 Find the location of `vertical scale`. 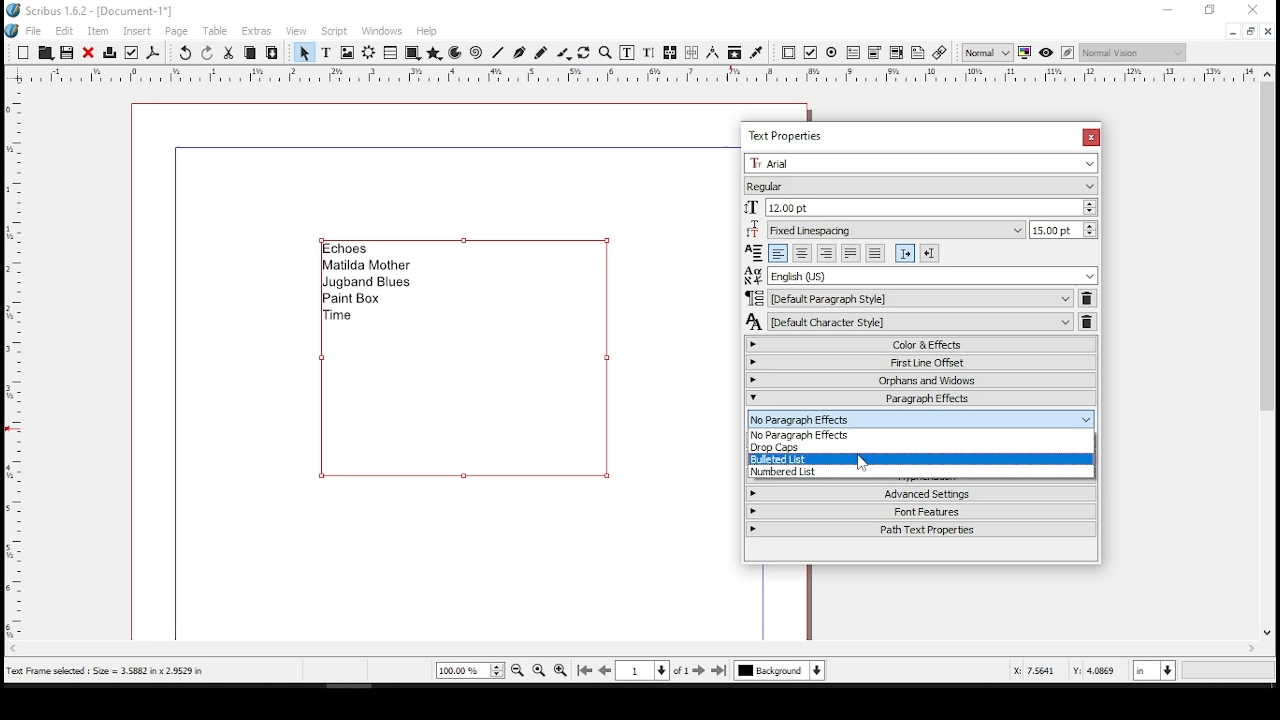

vertical scale is located at coordinates (11, 363).